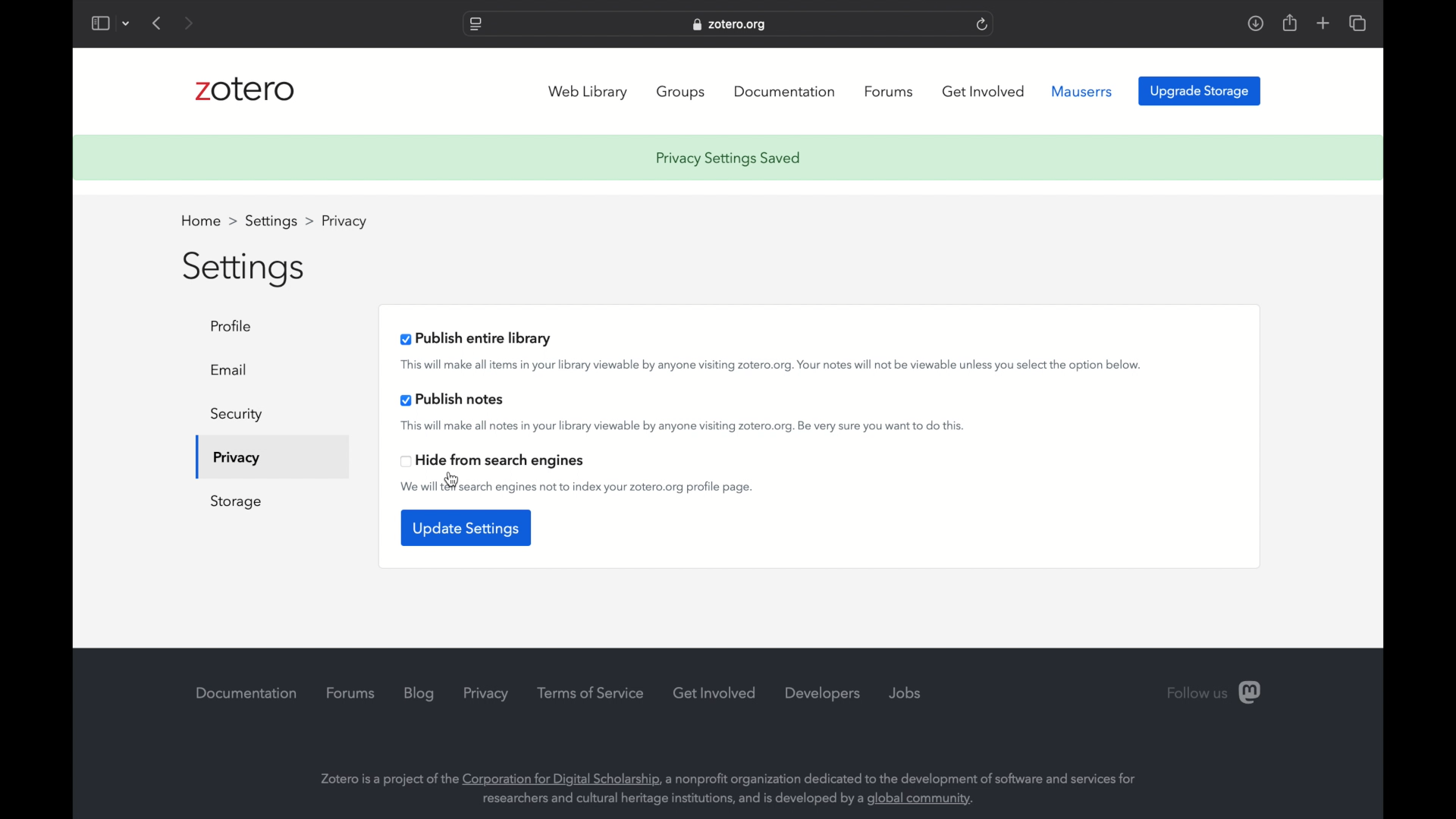  I want to click on publish entire library, so click(476, 336).